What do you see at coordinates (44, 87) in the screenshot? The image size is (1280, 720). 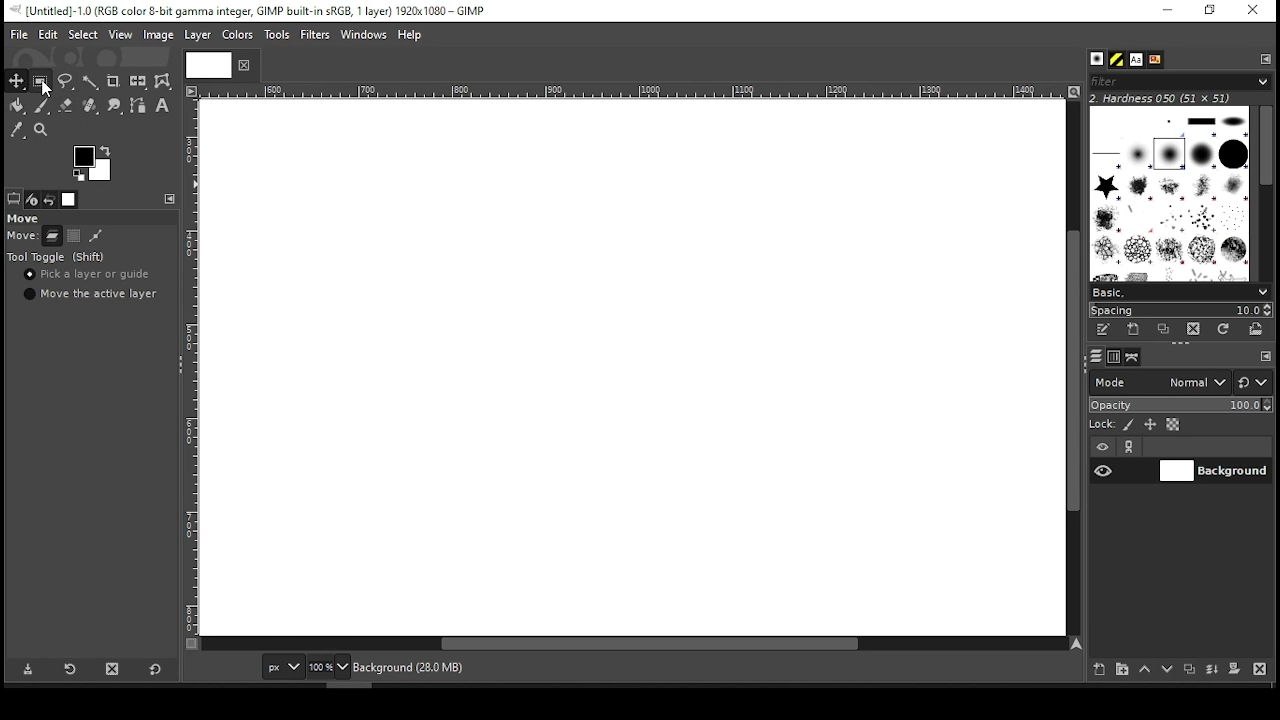 I see `mouse pointer` at bounding box center [44, 87].